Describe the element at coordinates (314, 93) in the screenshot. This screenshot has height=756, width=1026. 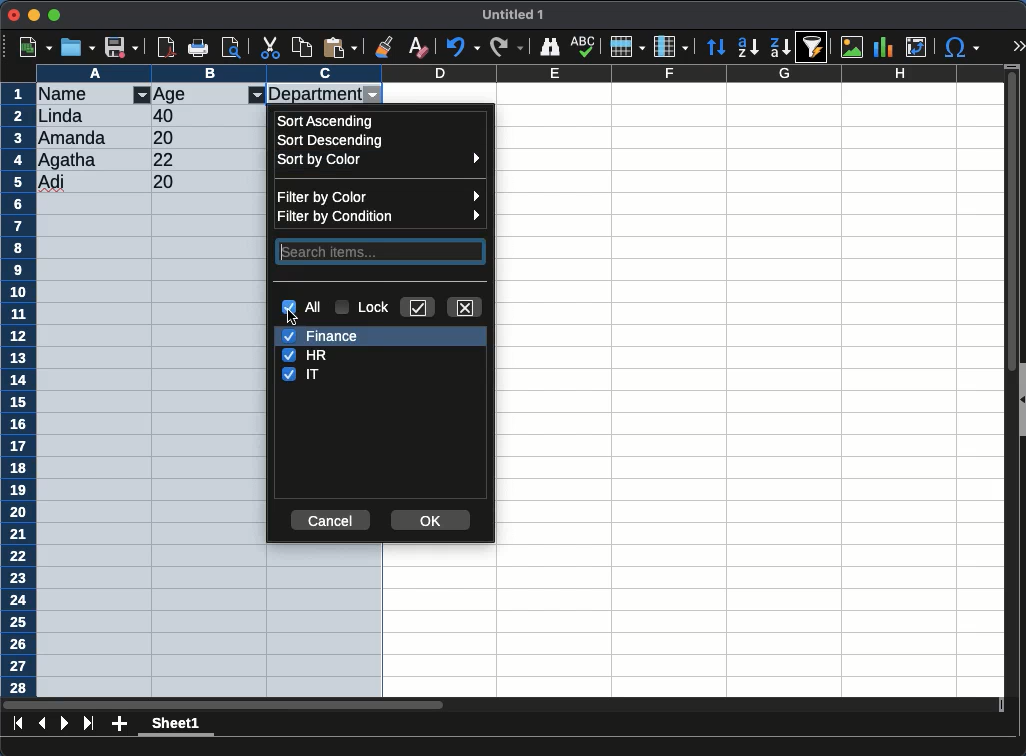
I see `department ` at that location.